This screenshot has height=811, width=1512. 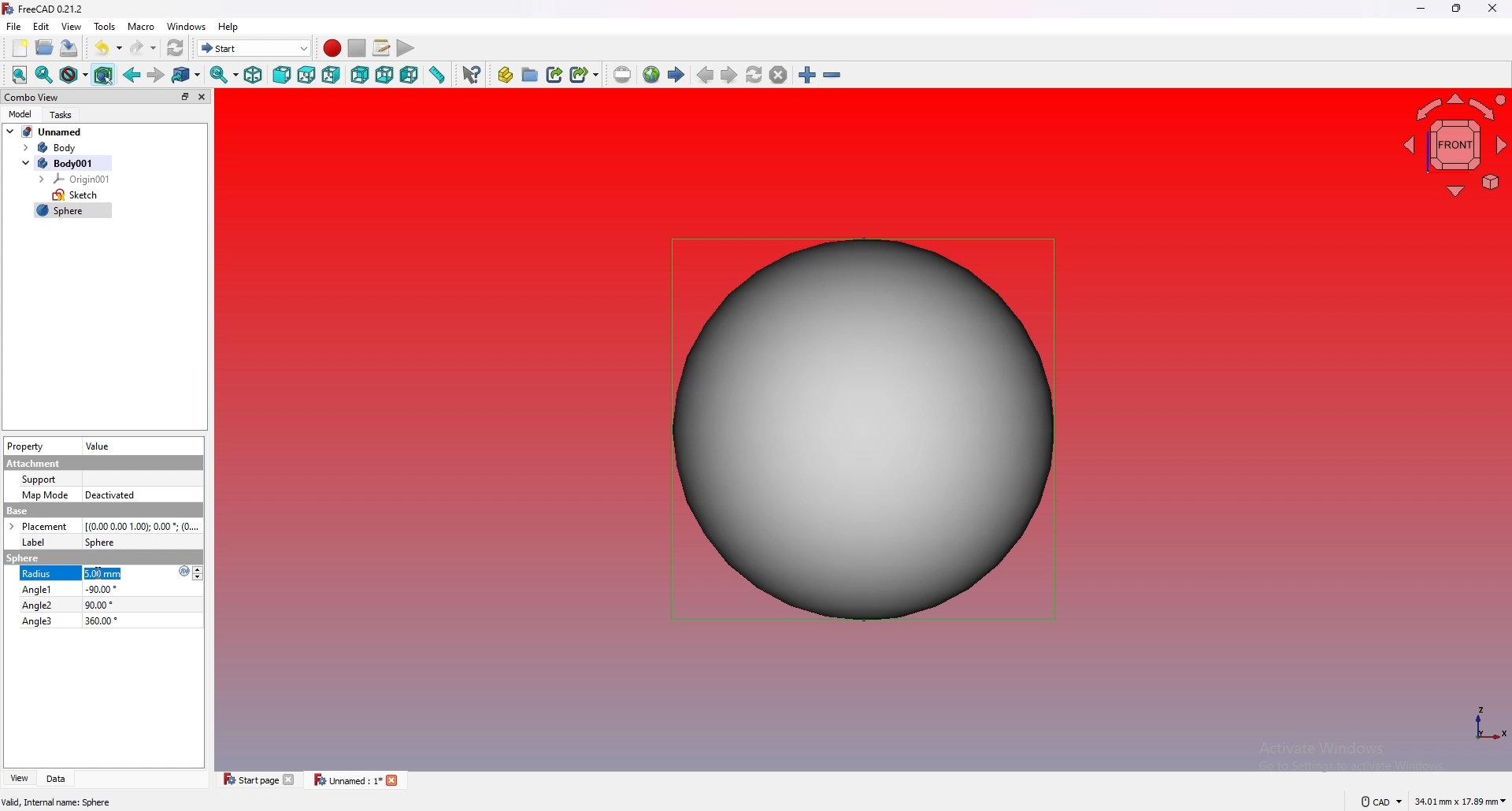 What do you see at coordinates (187, 27) in the screenshot?
I see `windows` at bounding box center [187, 27].